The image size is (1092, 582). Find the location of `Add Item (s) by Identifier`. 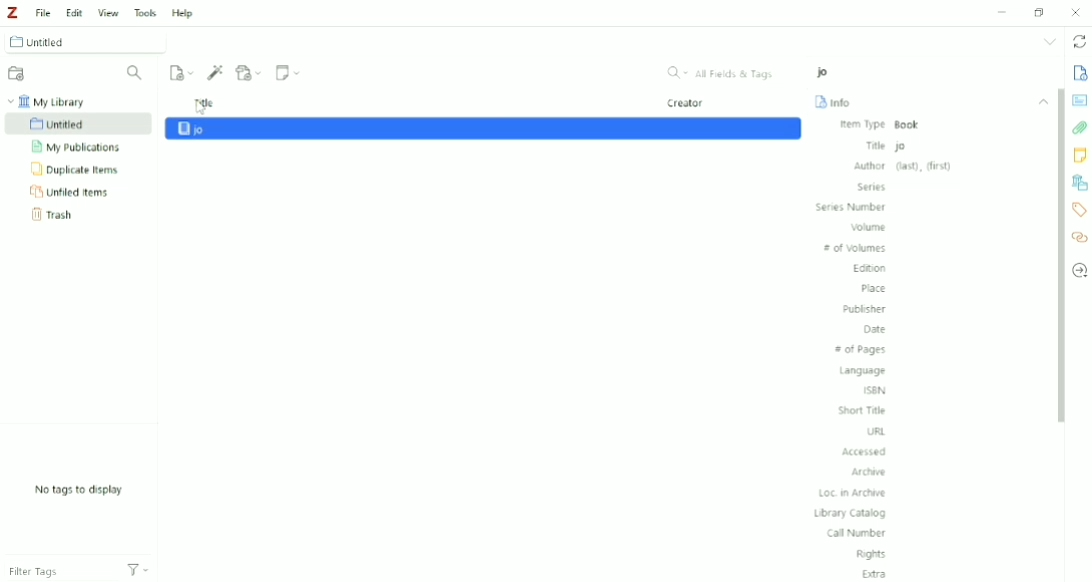

Add Item (s) by Identifier is located at coordinates (217, 72).